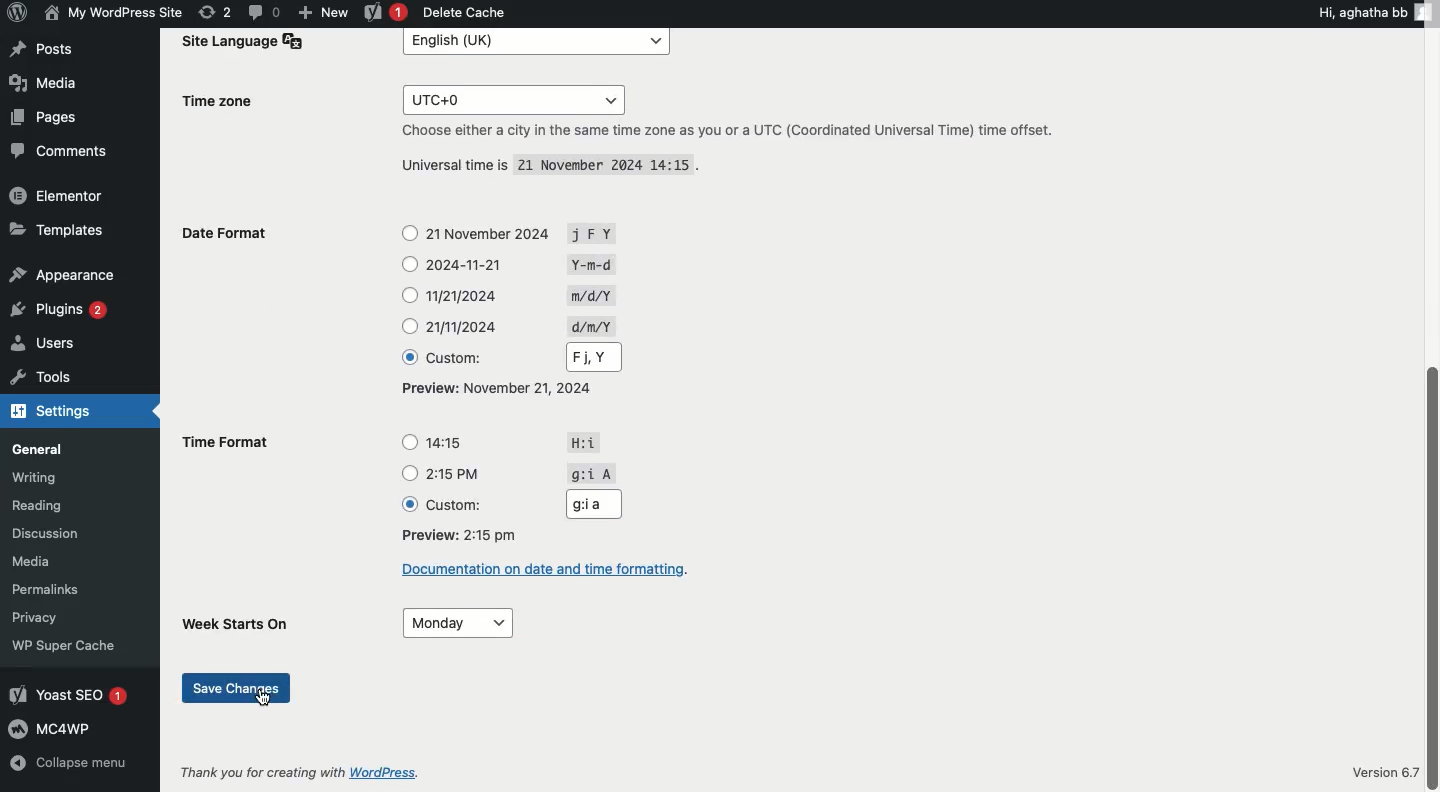  I want to click on Thank you for creating with, so click(262, 769).